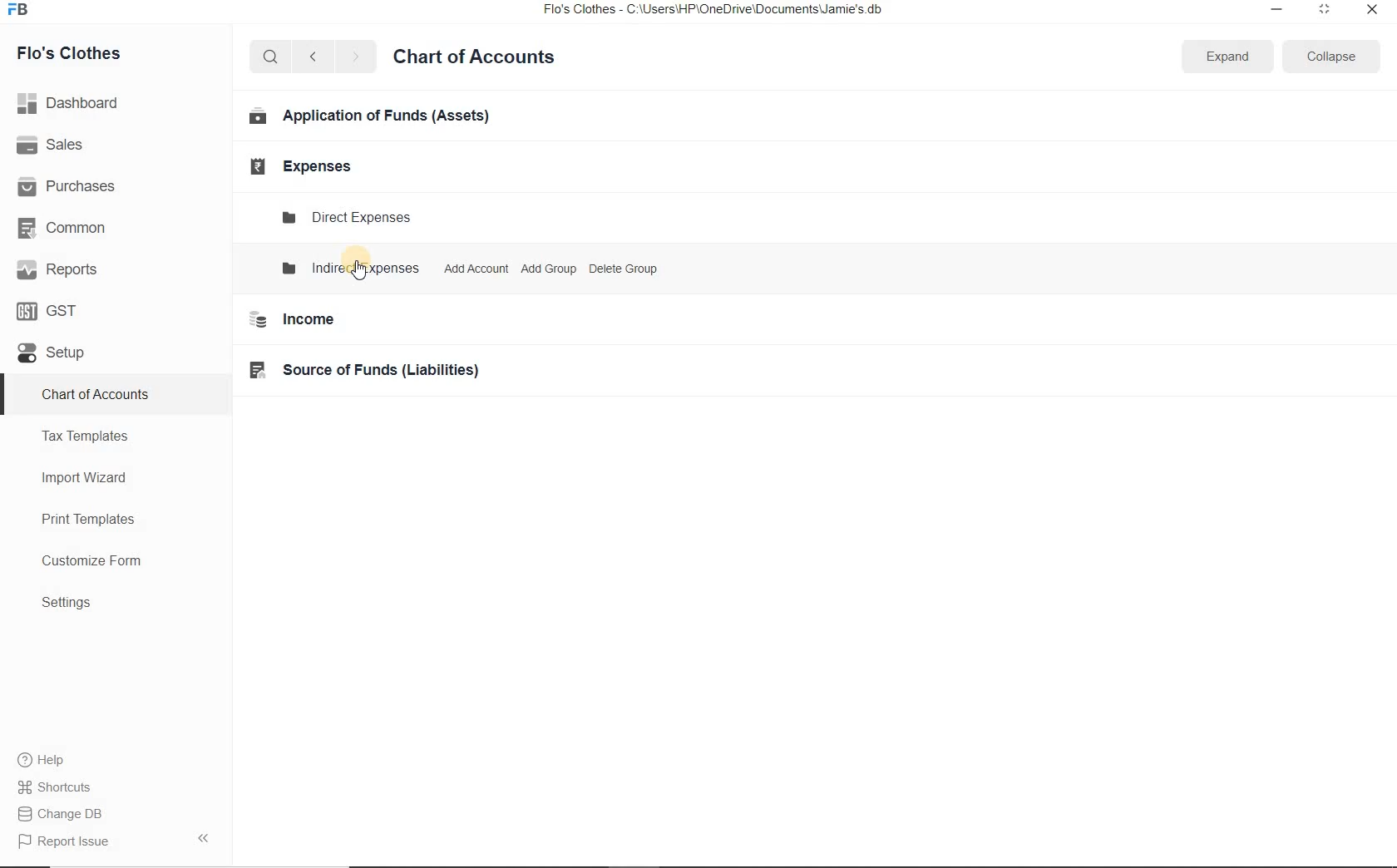  Describe the element at coordinates (60, 842) in the screenshot. I see `Report Issue` at that location.